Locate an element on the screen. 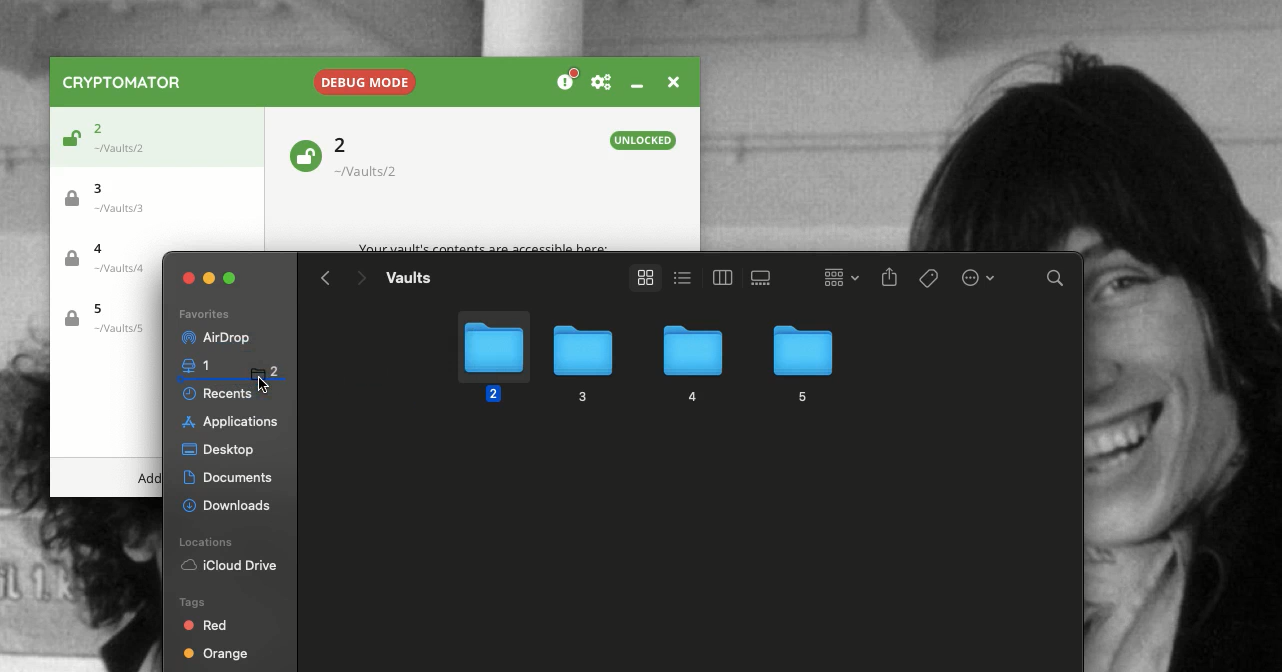 The height and width of the screenshot is (672, 1282). Preferences is located at coordinates (601, 83).